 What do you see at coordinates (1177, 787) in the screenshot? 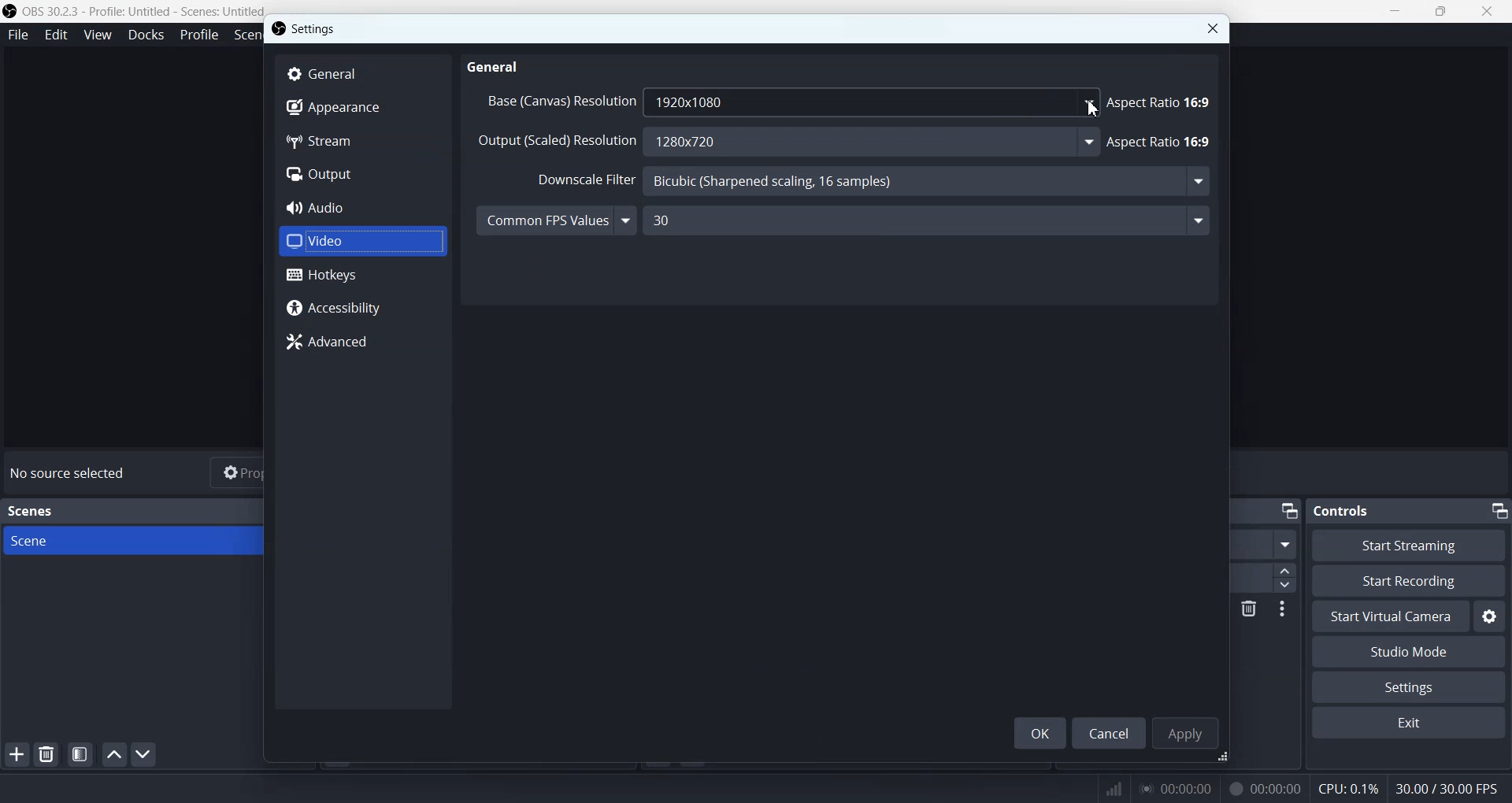
I see `00:00:00` at bounding box center [1177, 787].